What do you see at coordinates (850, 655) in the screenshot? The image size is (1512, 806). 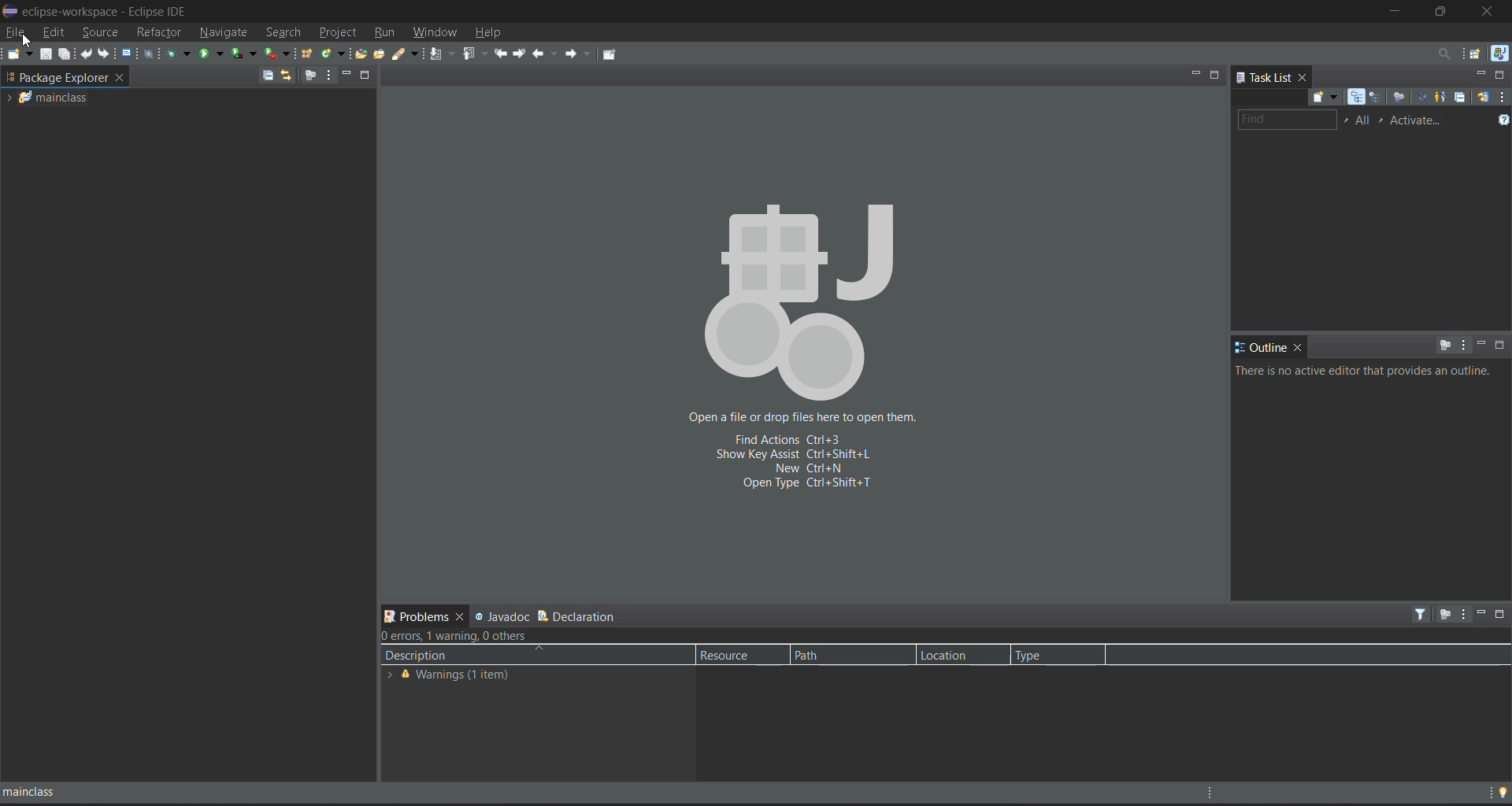 I see `path` at bounding box center [850, 655].